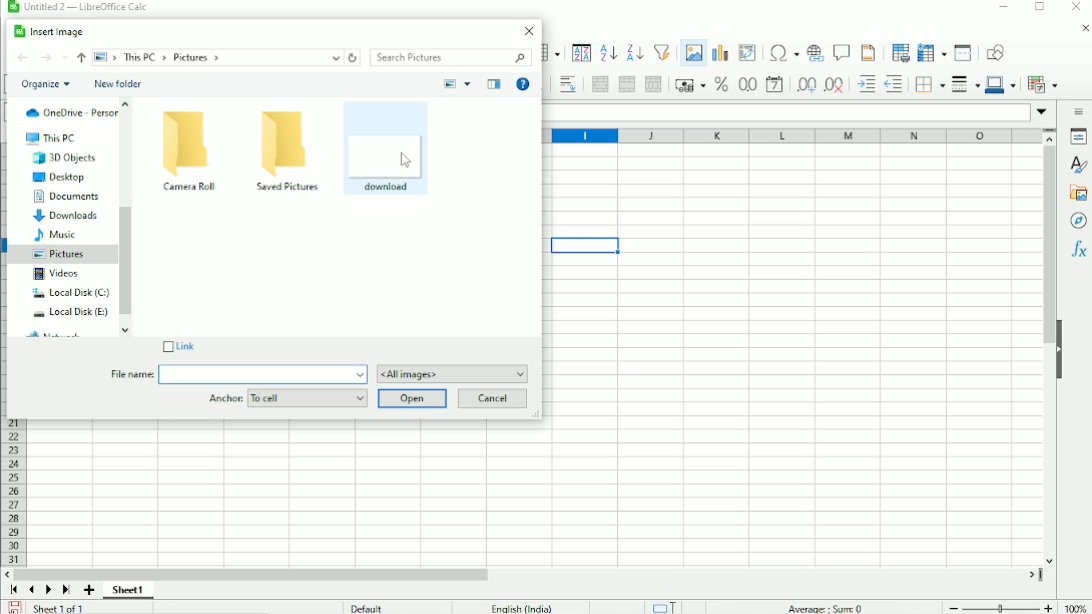 The image size is (1092, 614). Describe the element at coordinates (1078, 139) in the screenshot. I see `Properties` at that location.